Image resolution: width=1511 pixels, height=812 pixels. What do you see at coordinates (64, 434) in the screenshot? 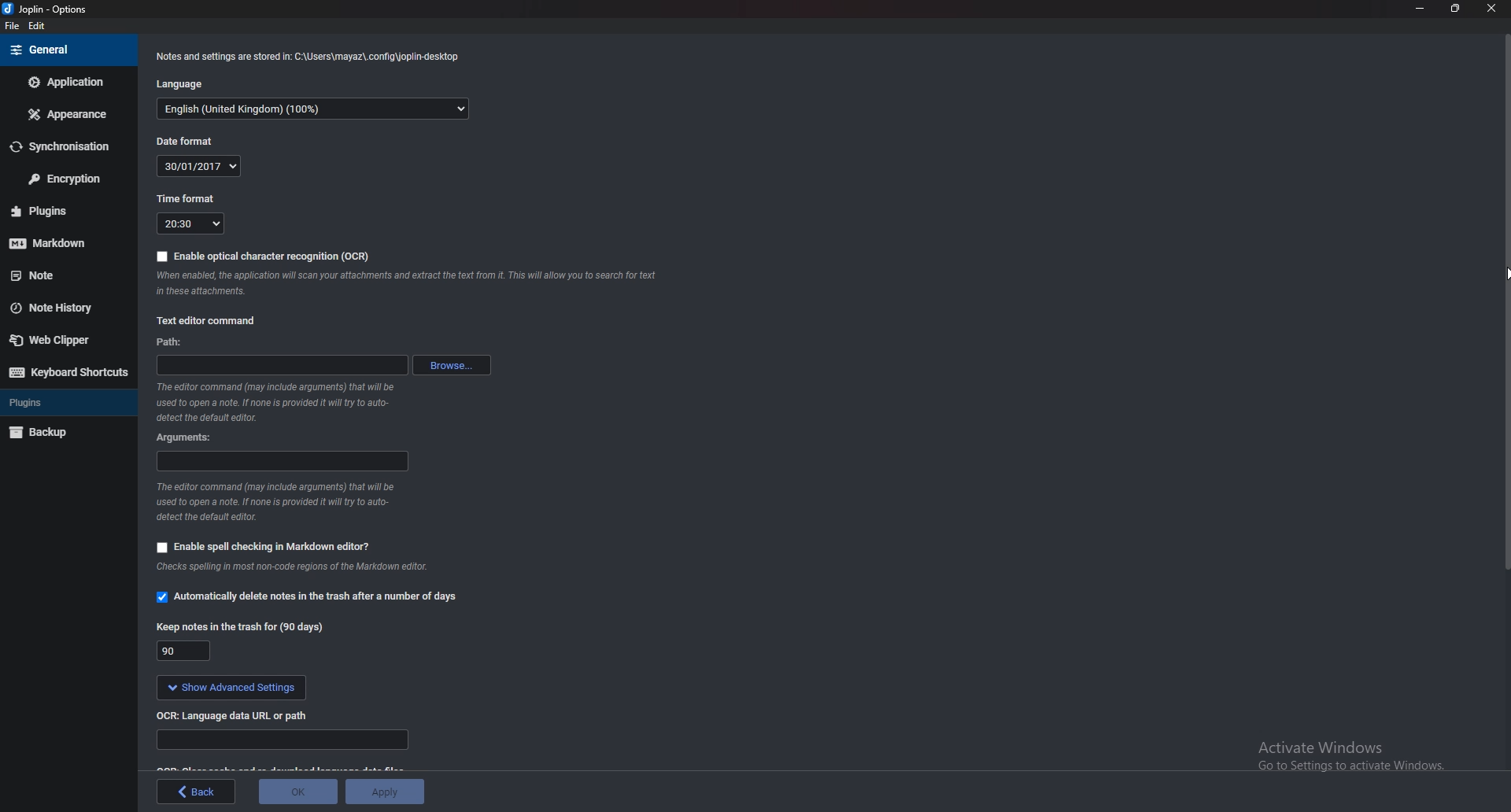
I see `Back up` at bounding box center [64, 434].